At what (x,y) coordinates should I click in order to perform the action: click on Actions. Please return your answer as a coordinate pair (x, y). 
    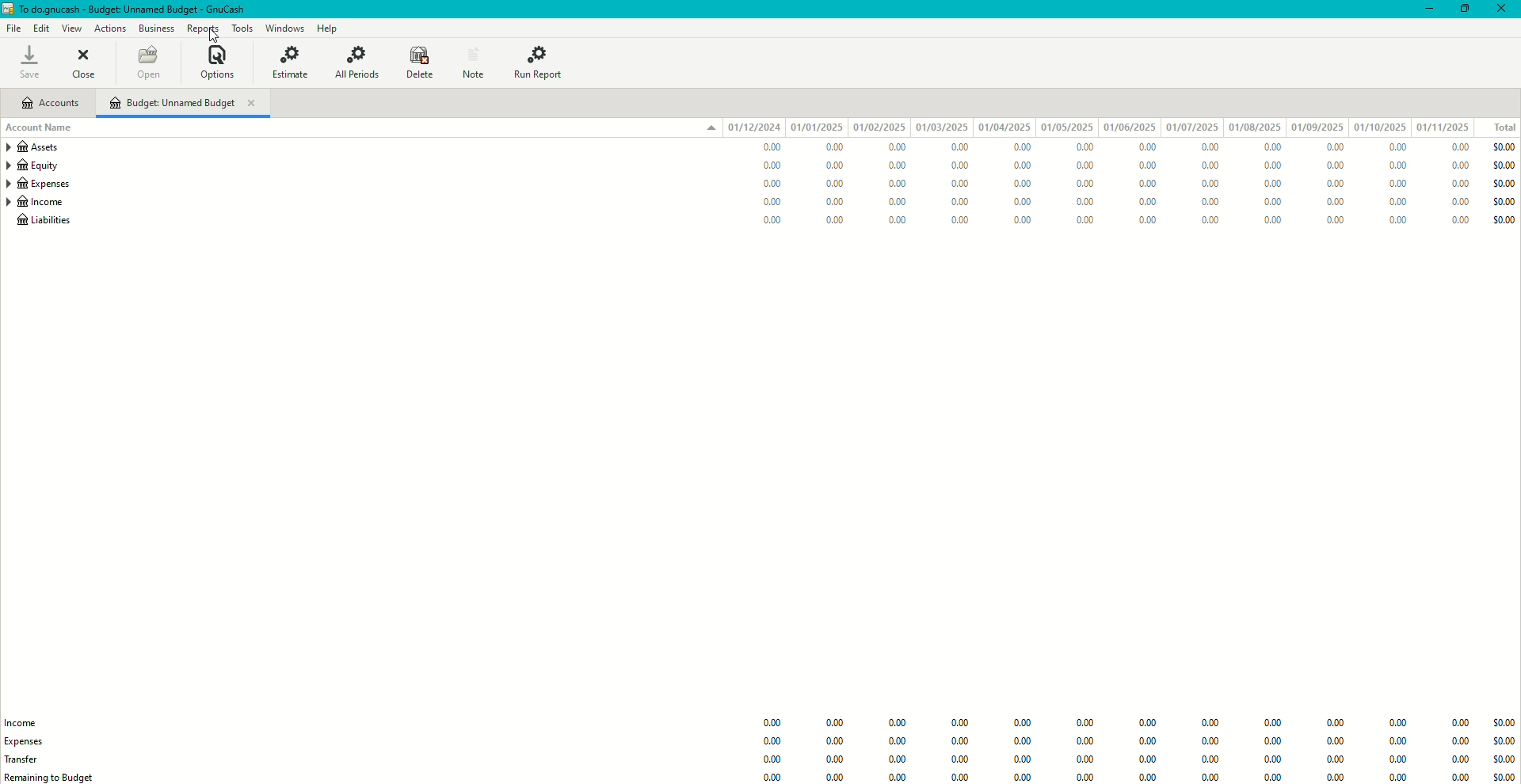
    Looking at the image, I should click on (109, 27).